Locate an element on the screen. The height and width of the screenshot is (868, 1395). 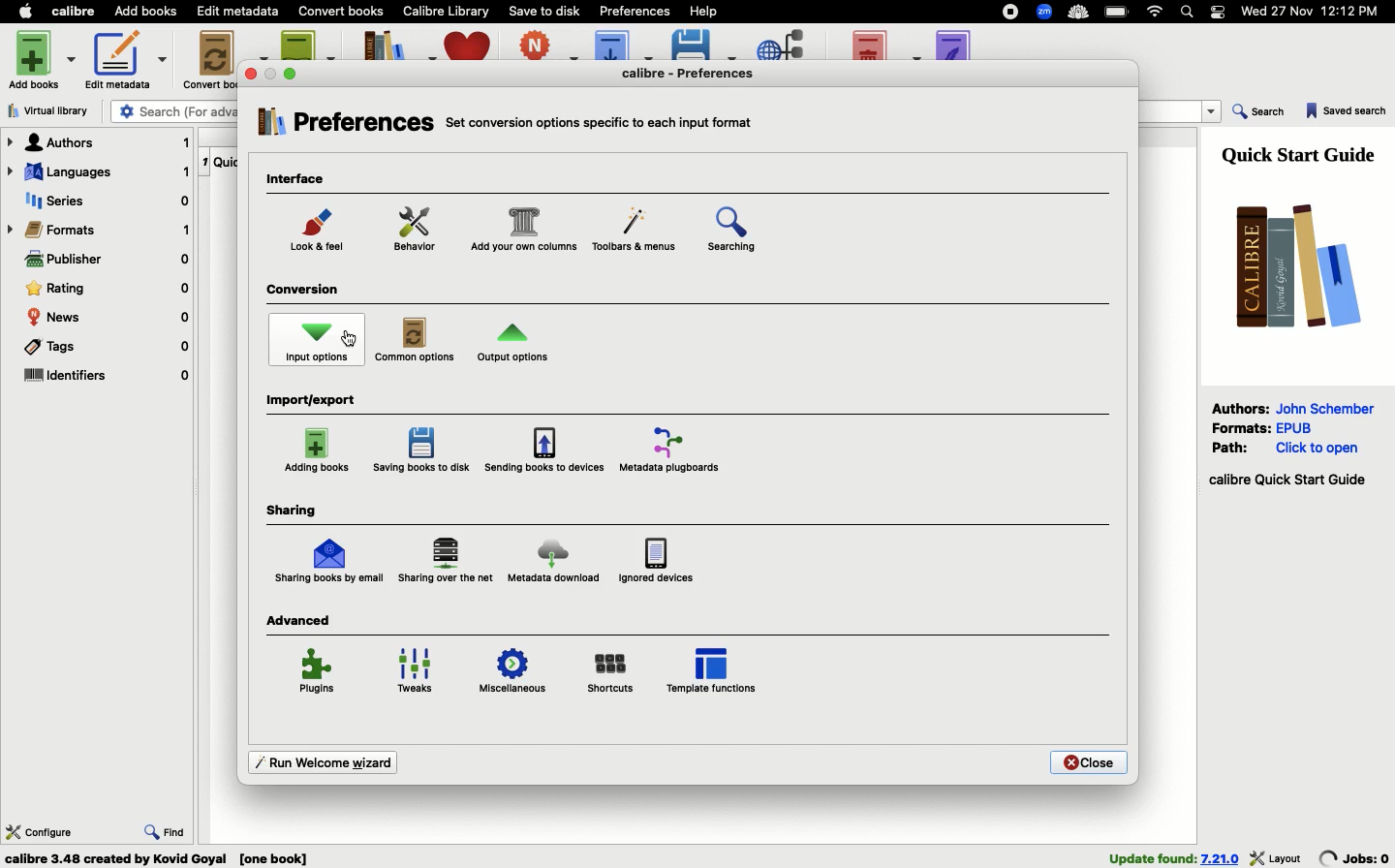
Plugins is located at coordinates (319, 674).